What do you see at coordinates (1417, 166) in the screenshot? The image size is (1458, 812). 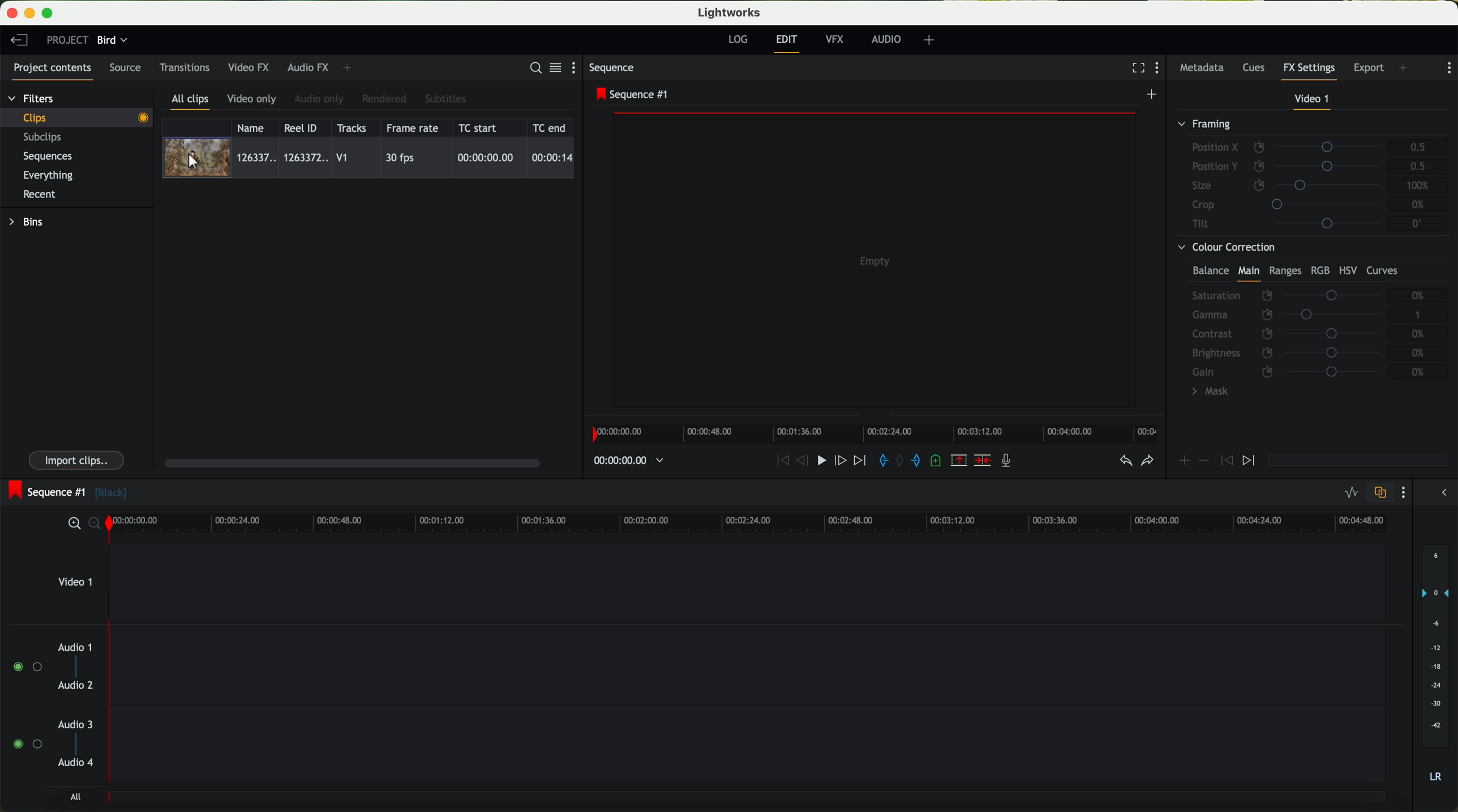 I see `0.5` at bounding box center [1417, 166].